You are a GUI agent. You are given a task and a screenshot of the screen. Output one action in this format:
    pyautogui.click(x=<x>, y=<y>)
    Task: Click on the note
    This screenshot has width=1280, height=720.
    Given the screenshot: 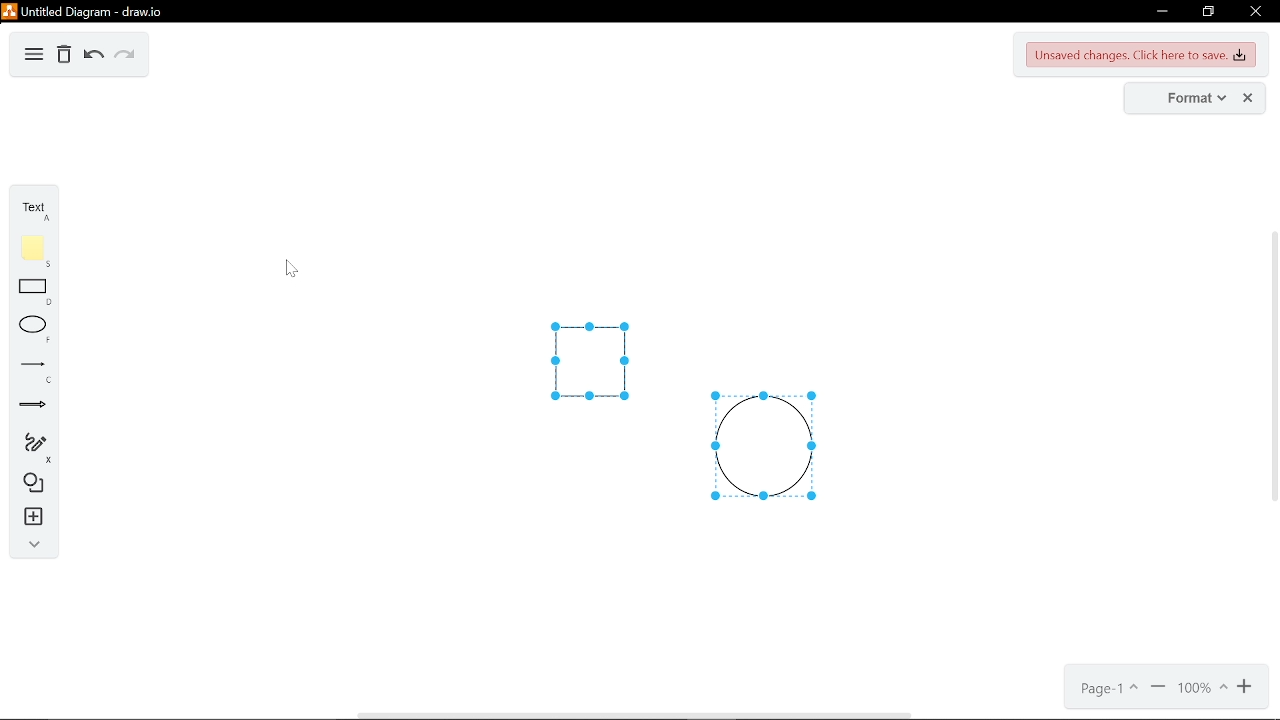 What is the action you would take?
    pyautogui.click(x=31, y=252)
    